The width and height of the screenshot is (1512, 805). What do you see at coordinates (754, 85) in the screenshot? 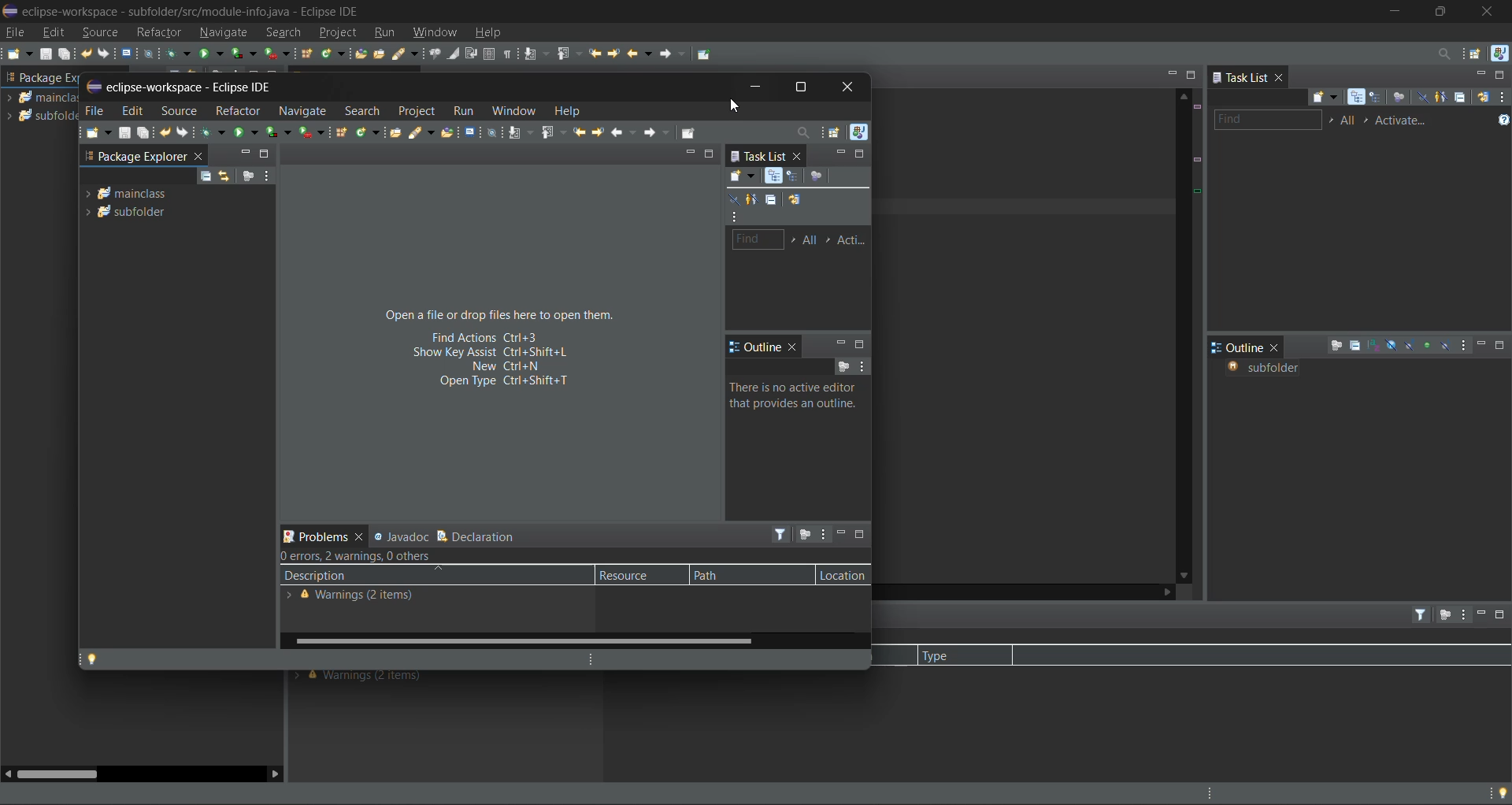
I see `minimize` at bounding box center [754, 85].